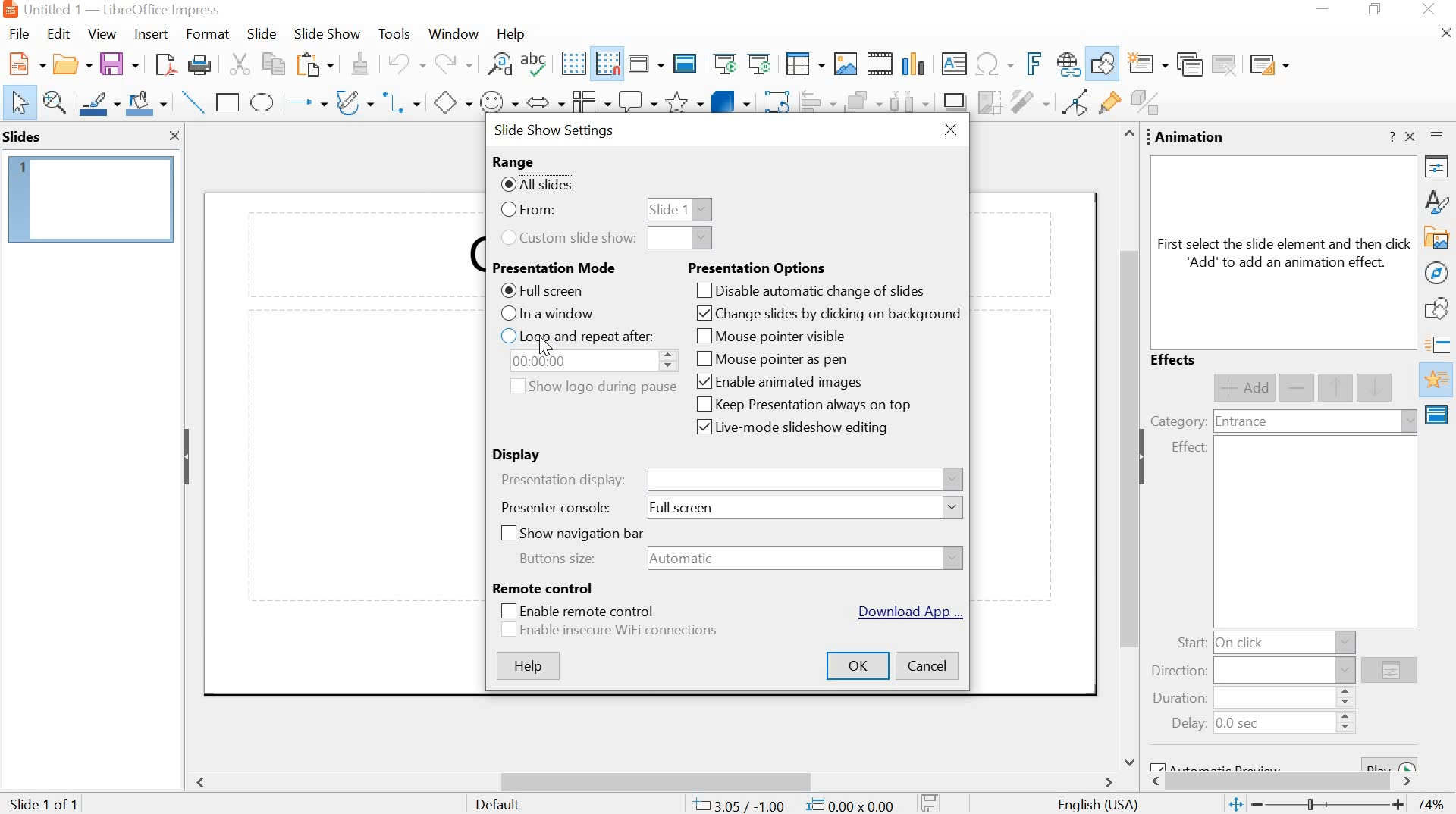 This screenshot has width=1456, height=814. I want to click on all slides, so click(538, 184).